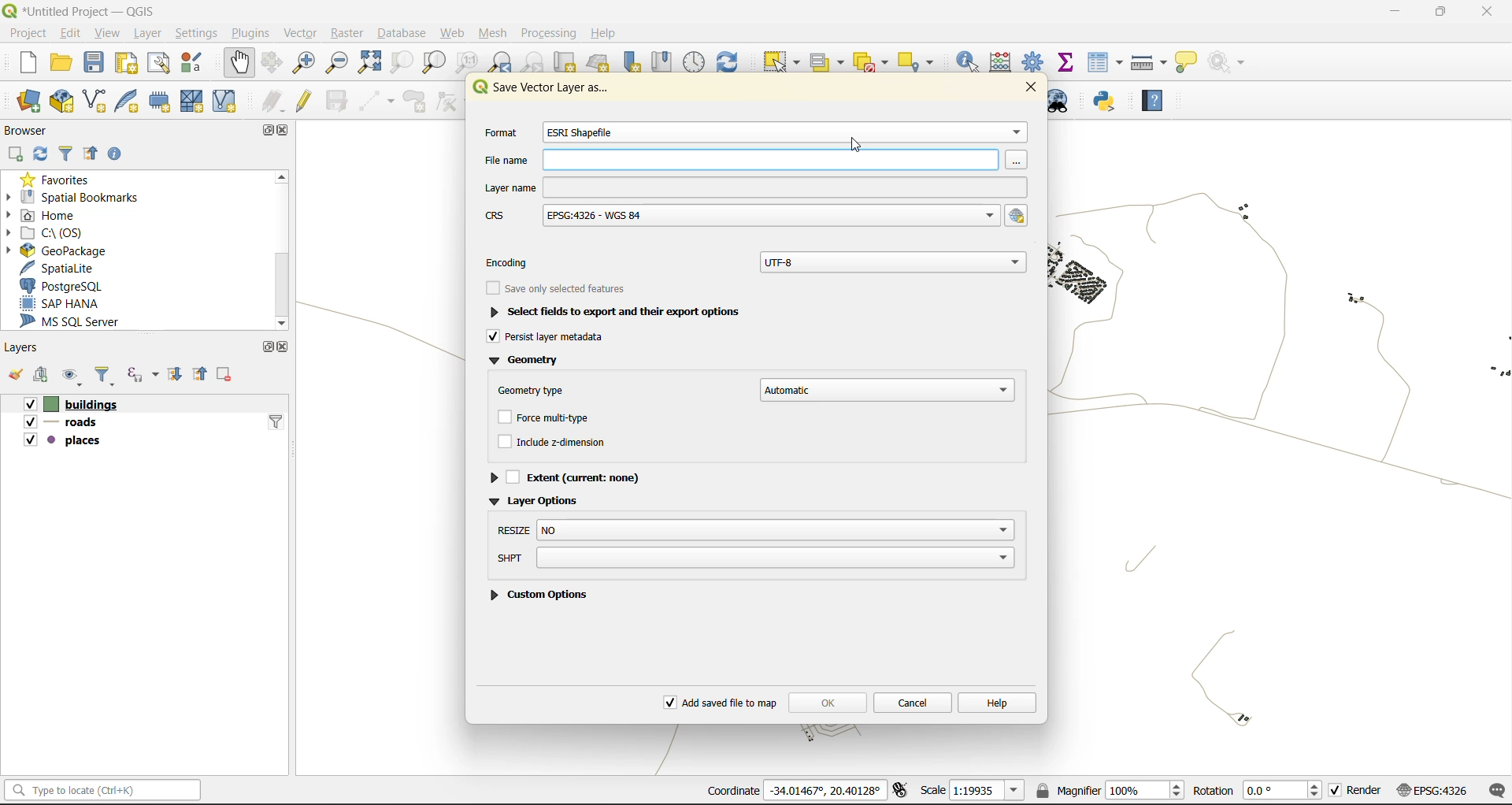  I want to click on geopackage, so click(72, 252).